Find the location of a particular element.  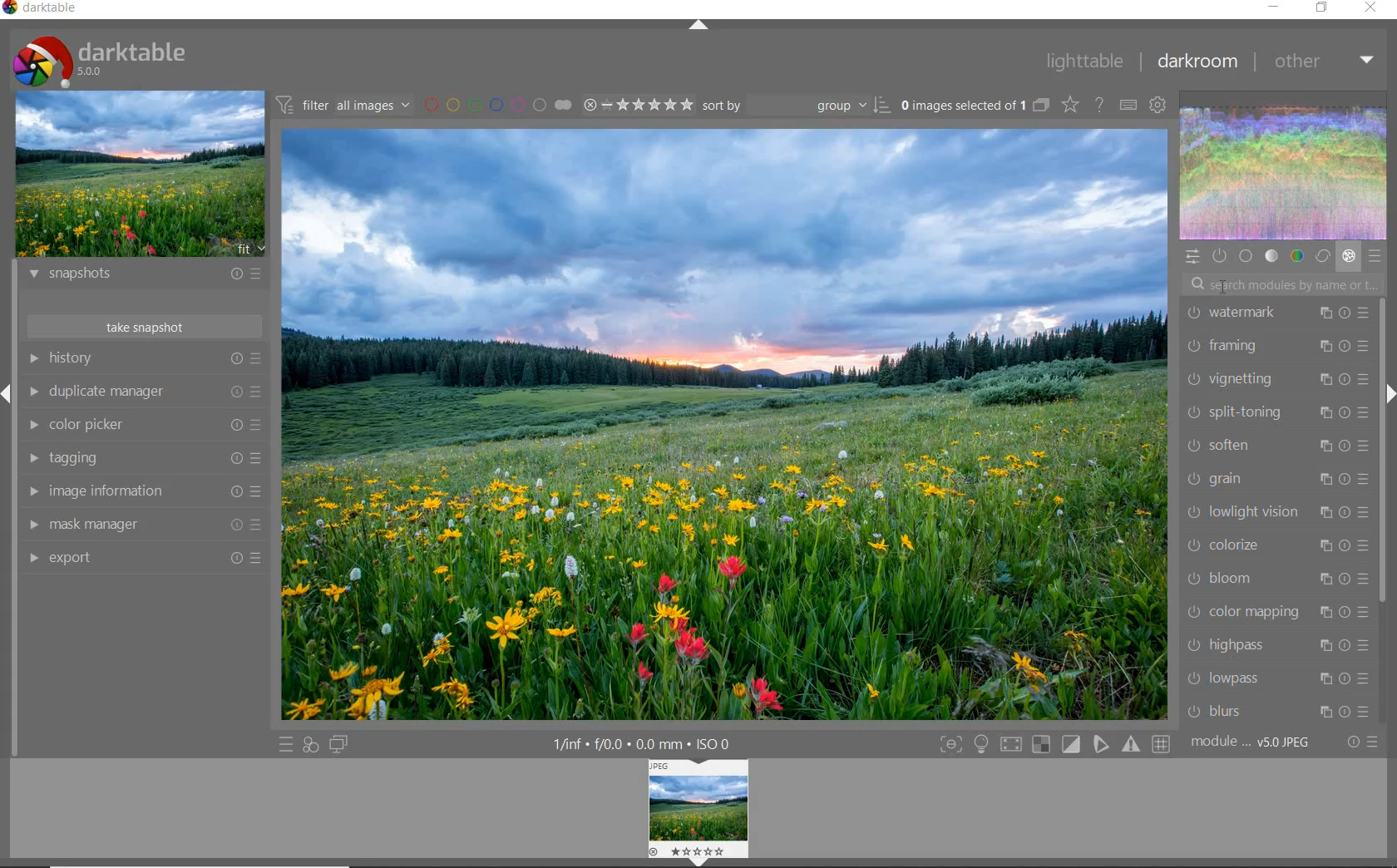

lowlight vision is located at coordinates (1271, 513).